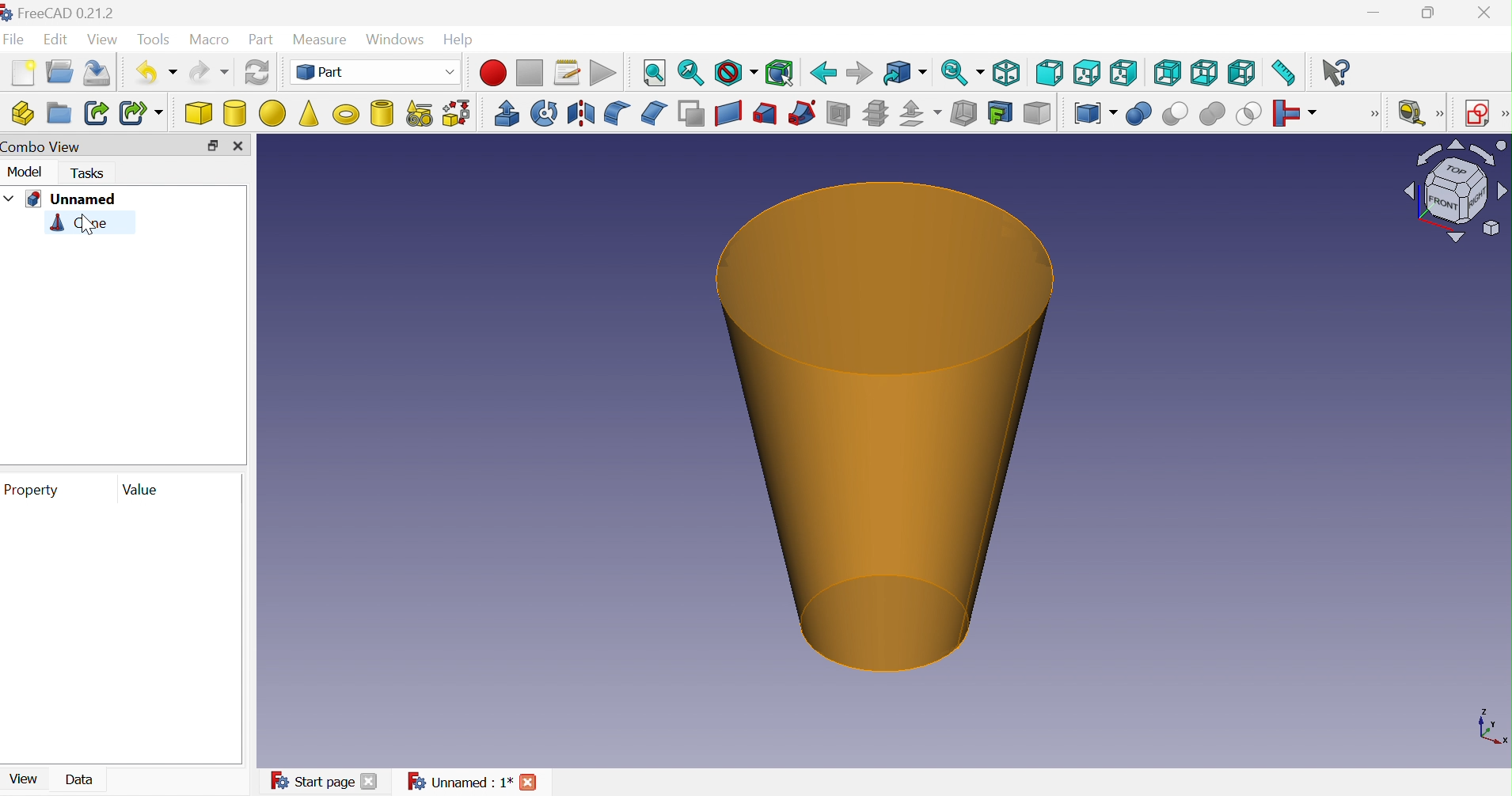 The width and height of the screenshot is (1512, 796). What do you see at coordinates (25, 175) in the screenshot?
I see `Model` at bounding box center [25, 175].